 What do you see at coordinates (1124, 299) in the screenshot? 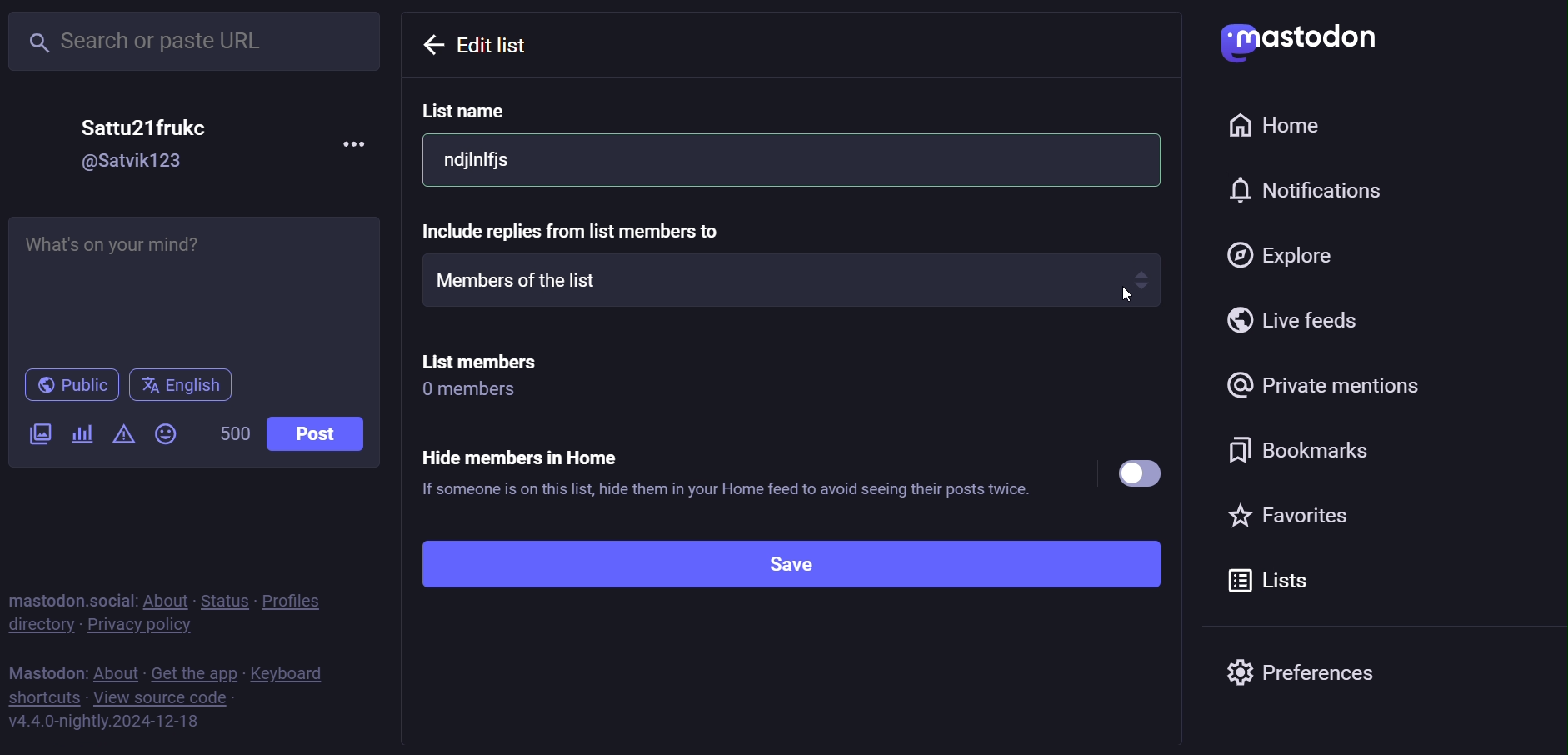
I see `cursor` at bounding box center [1124, 299].